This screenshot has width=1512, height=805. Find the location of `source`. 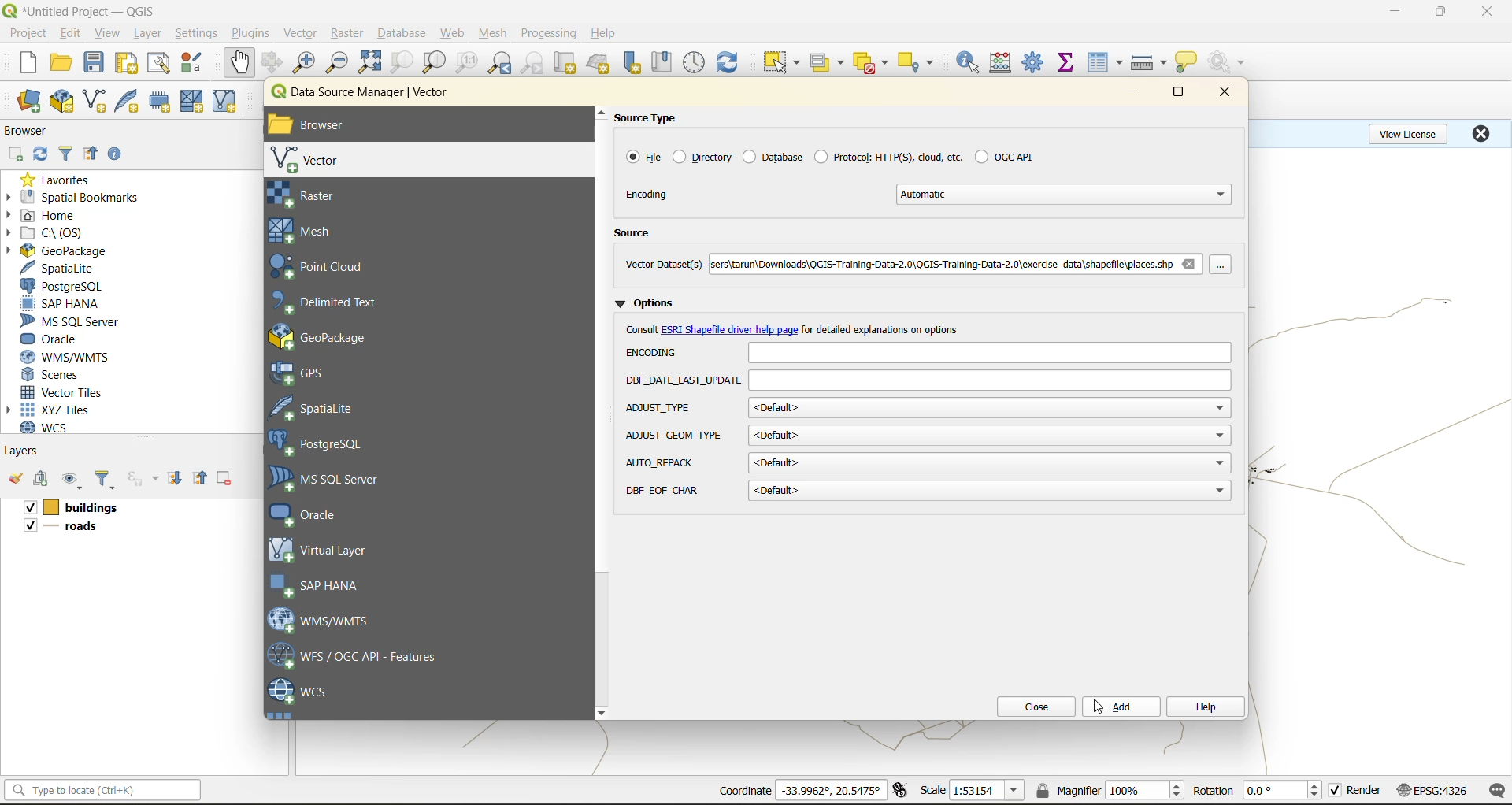

source is located at coordinates (638, 235).